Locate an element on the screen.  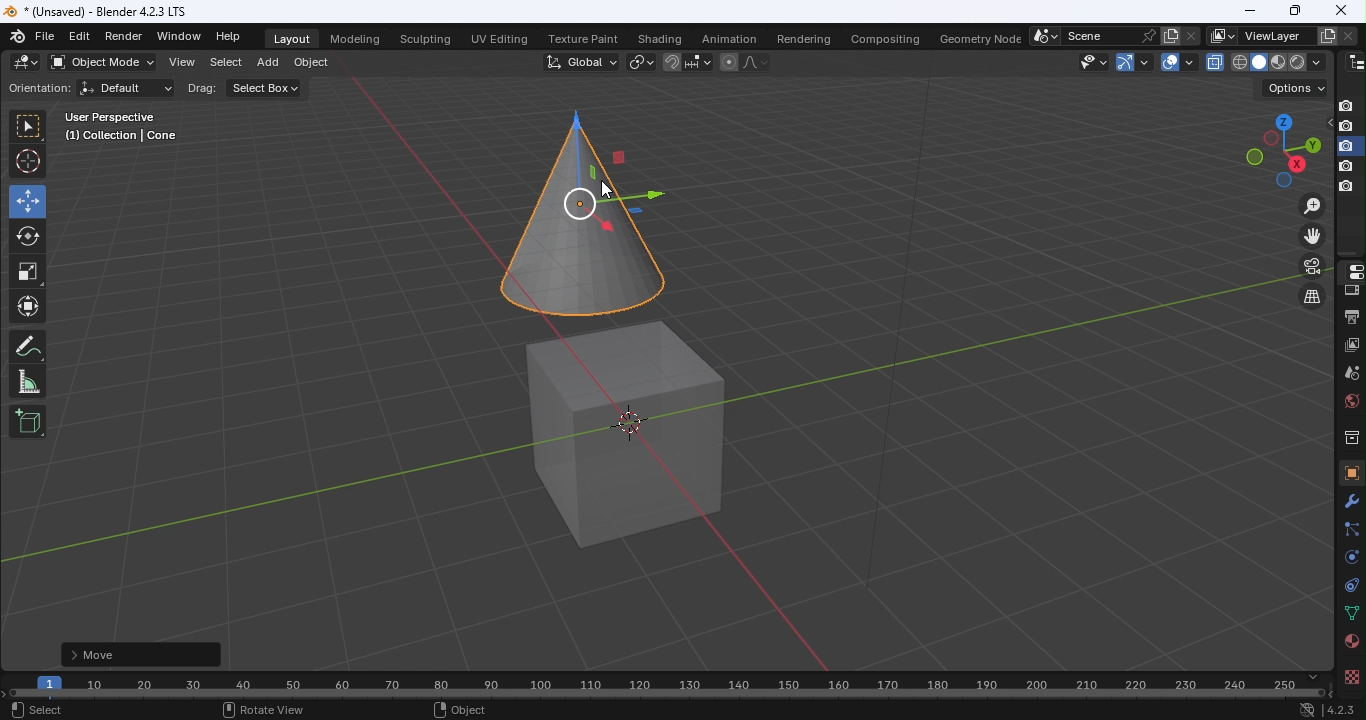
Material is located at coordinates (1350, 642).